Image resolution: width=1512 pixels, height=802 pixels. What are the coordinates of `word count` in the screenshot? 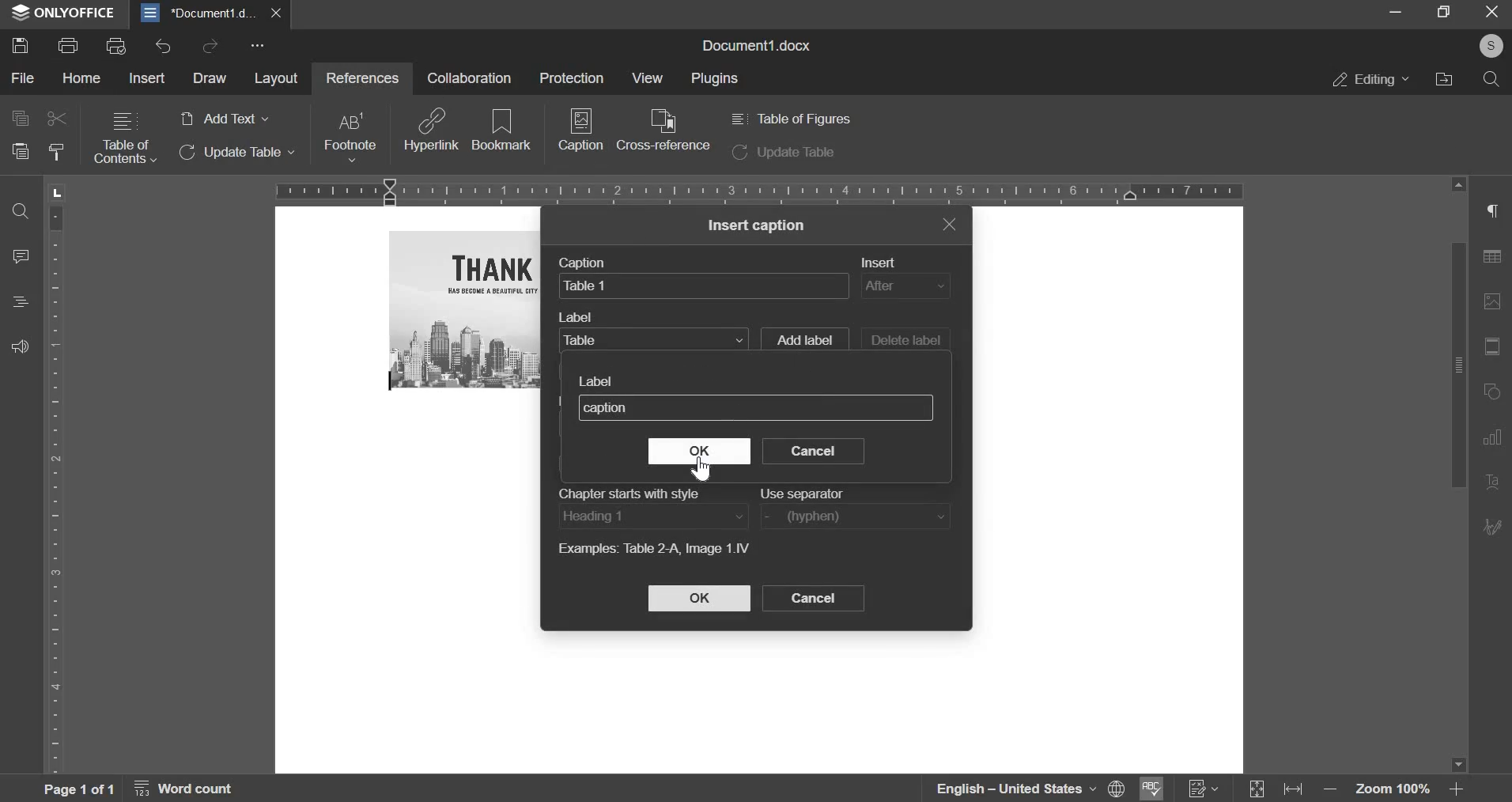 It's located at (193, 791).